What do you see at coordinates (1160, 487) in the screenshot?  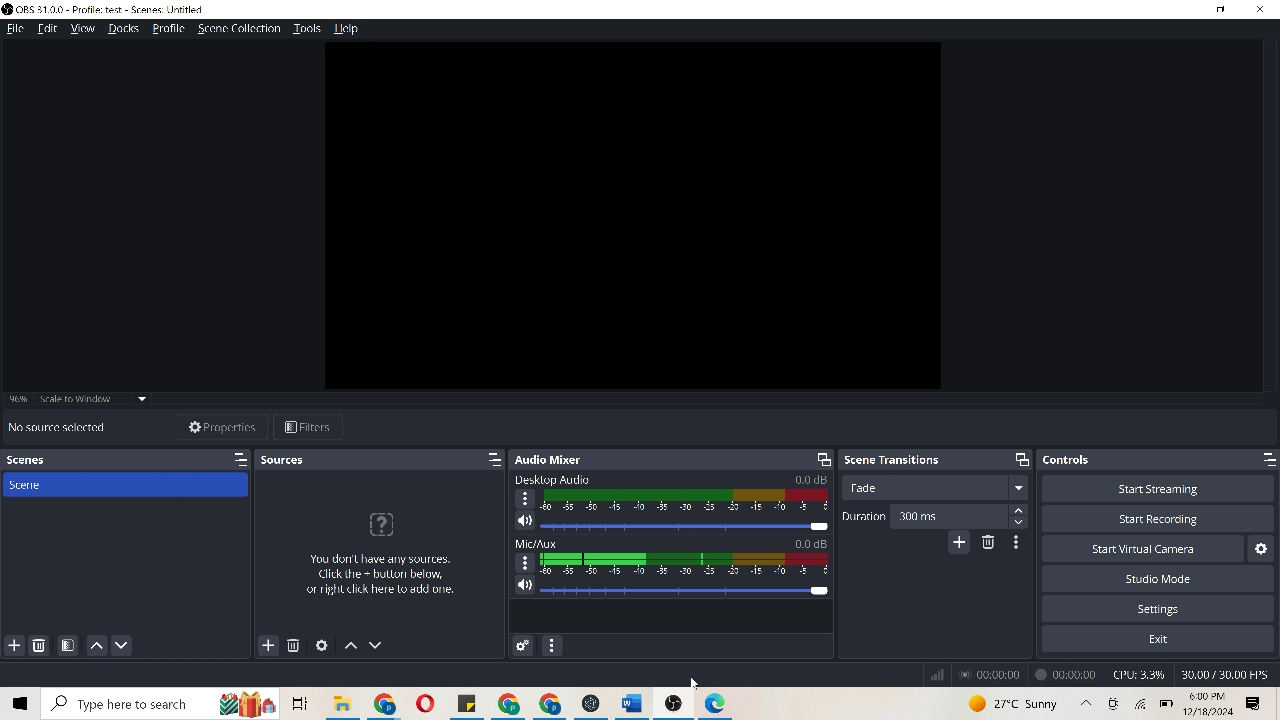 I see `start streaming` at bounding box center [1160, 487].